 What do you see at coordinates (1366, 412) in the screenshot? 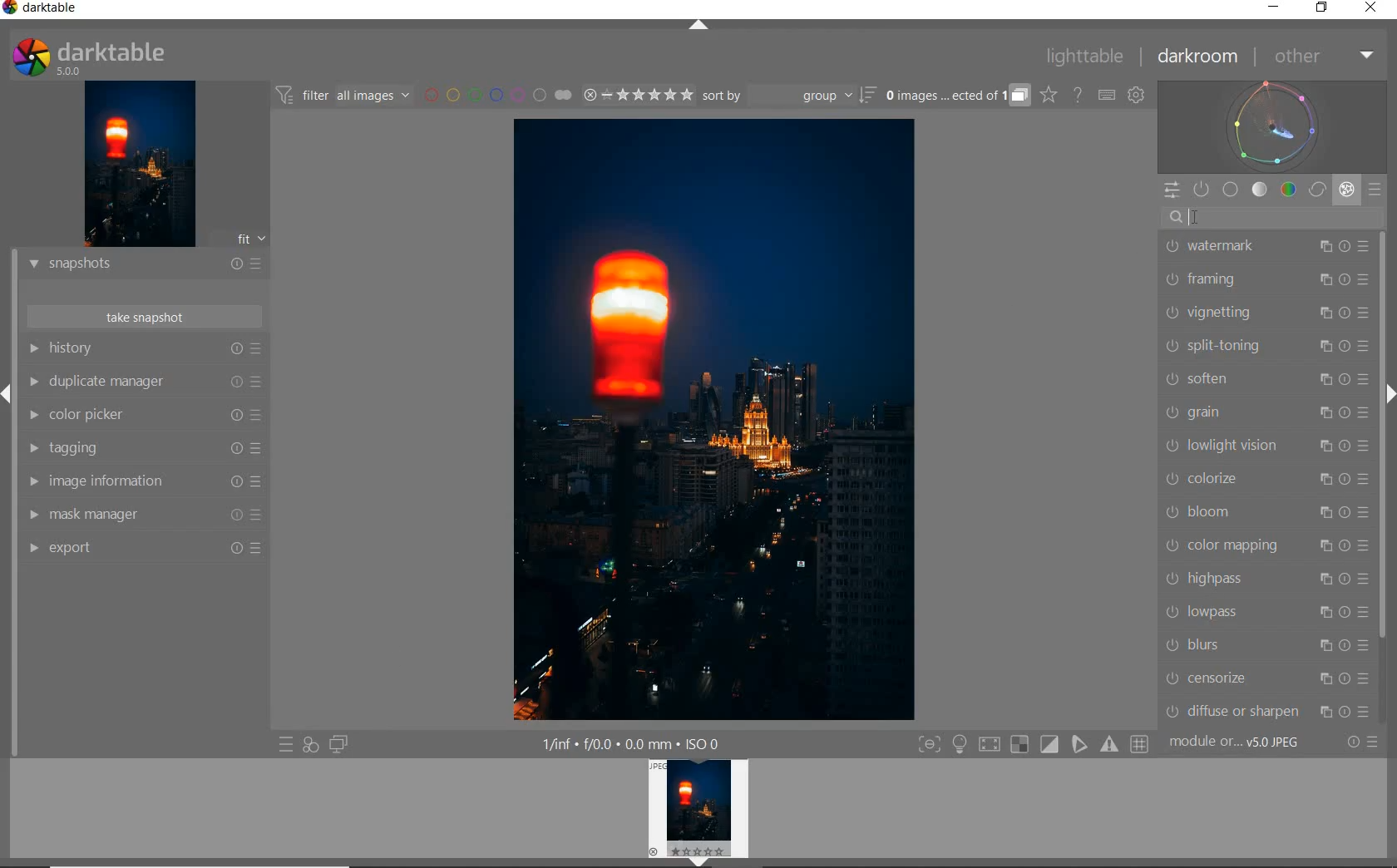
I see `Preset and reset` at bounding box center [1366, 412].